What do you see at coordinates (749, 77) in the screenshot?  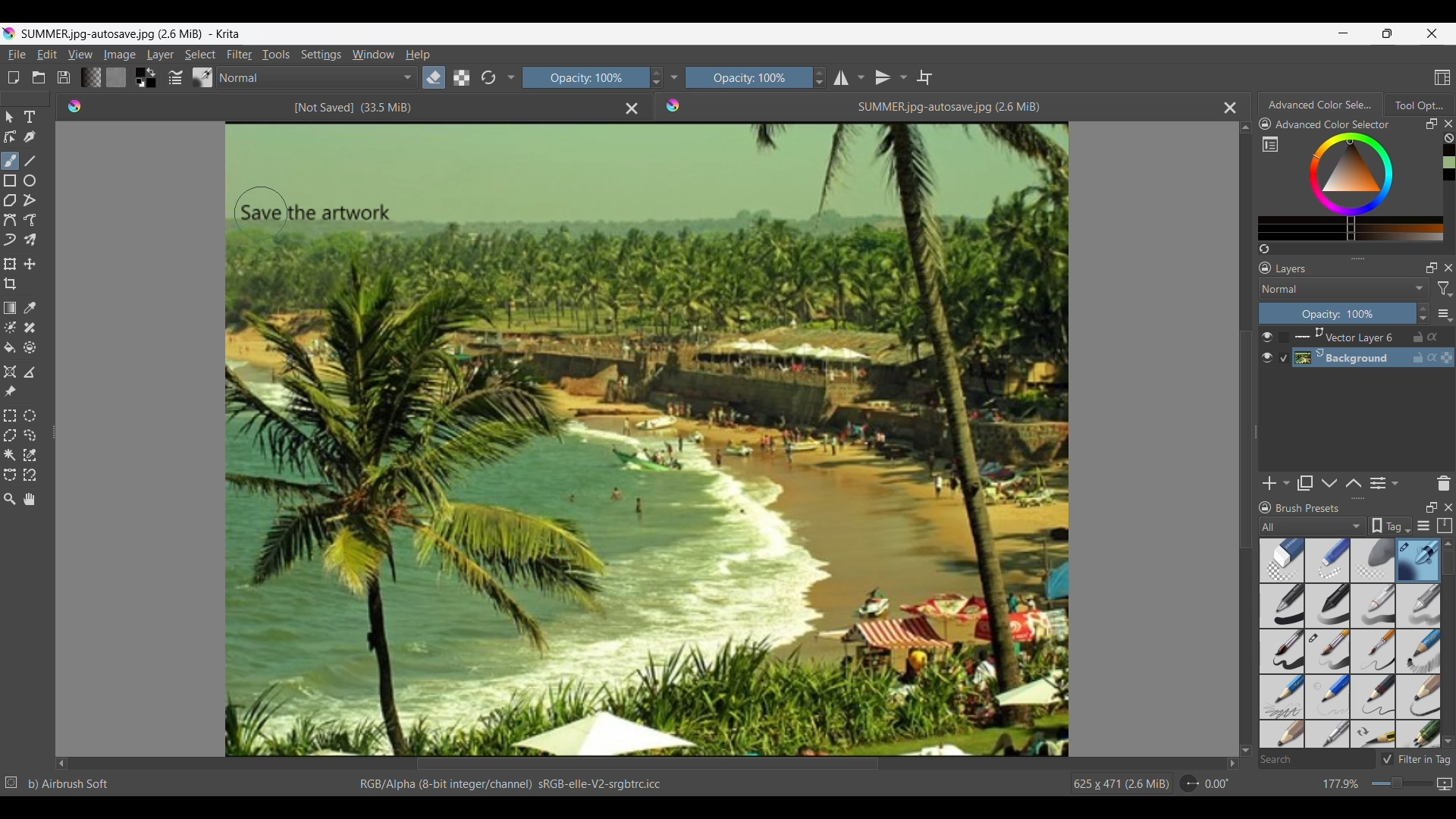 I see `Opacity 100%` at bounding box center [749, 77].